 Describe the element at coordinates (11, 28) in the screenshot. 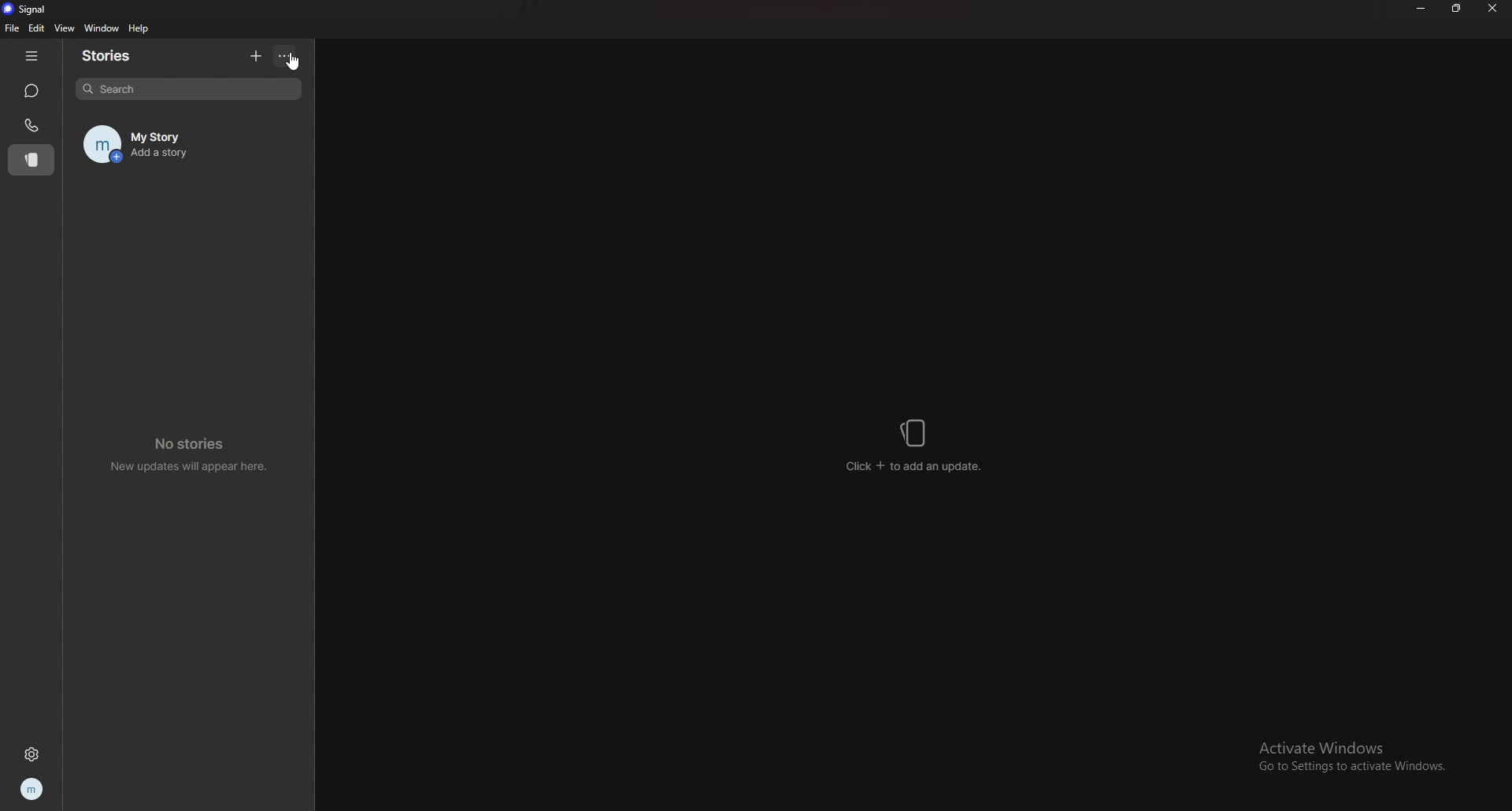

I see `file` at that location.